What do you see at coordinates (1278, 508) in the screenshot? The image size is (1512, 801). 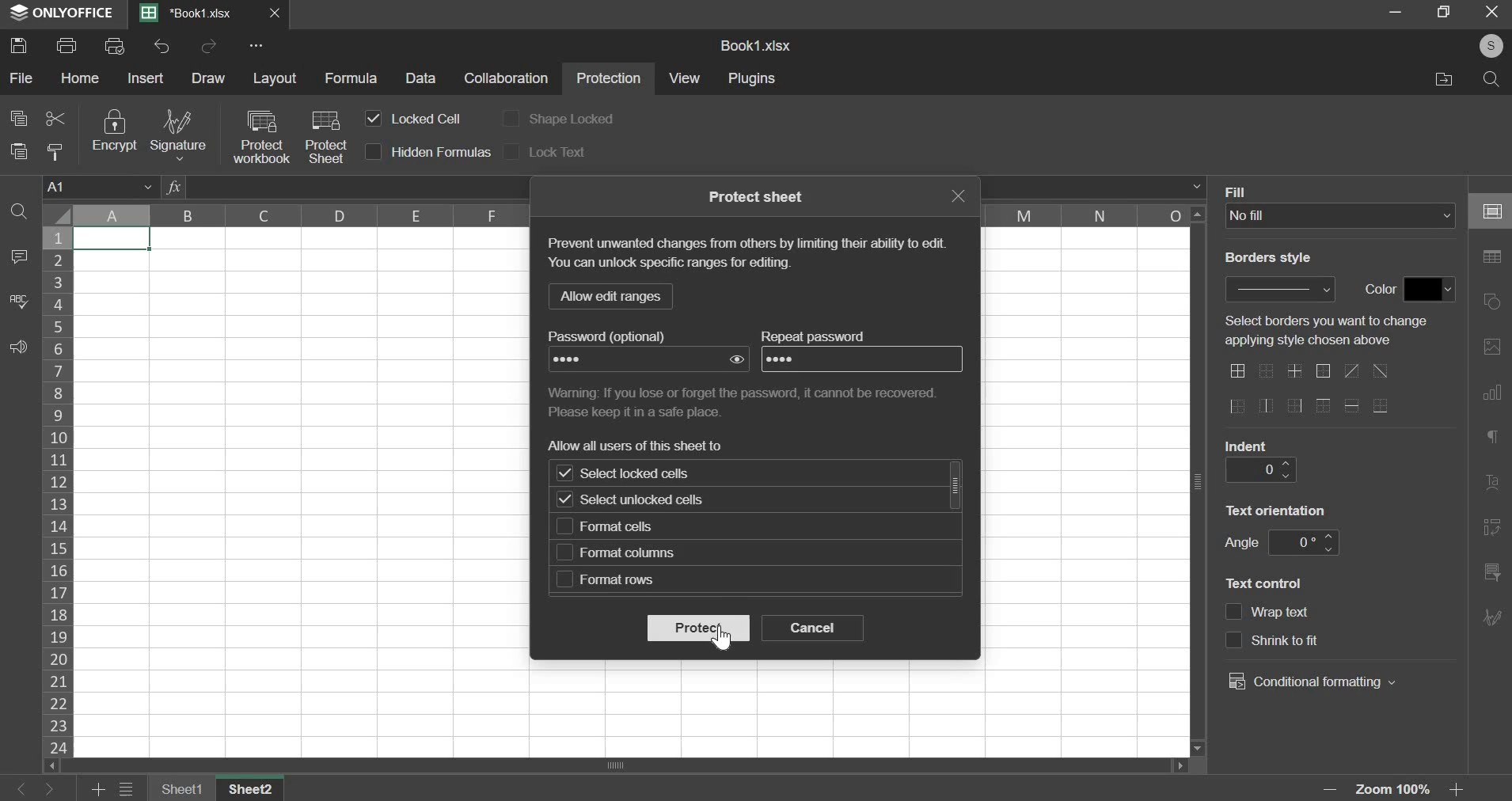 I see `text` at bounding box center [1278, 508].